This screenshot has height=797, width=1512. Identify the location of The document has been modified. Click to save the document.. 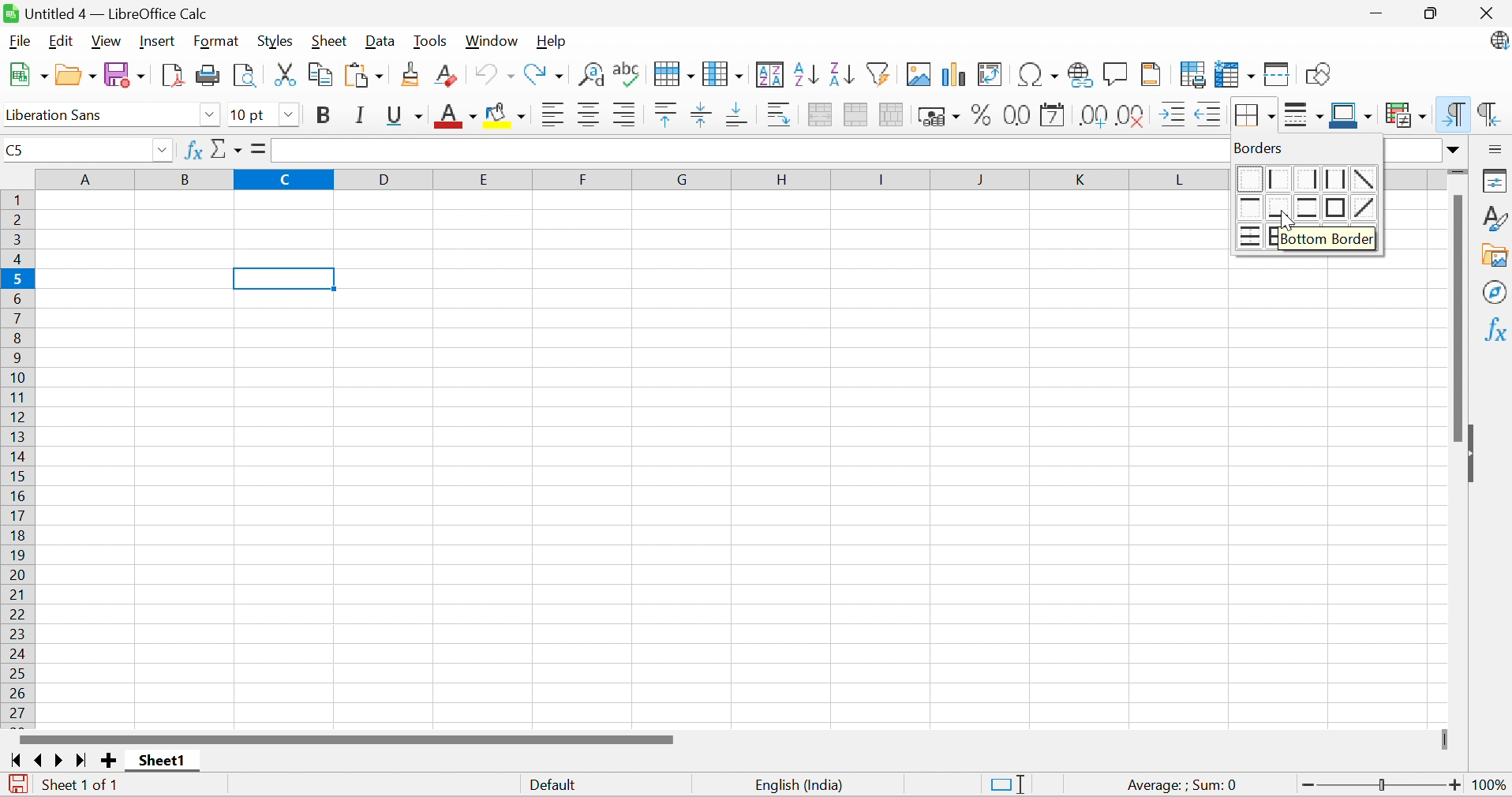
(18, 786).